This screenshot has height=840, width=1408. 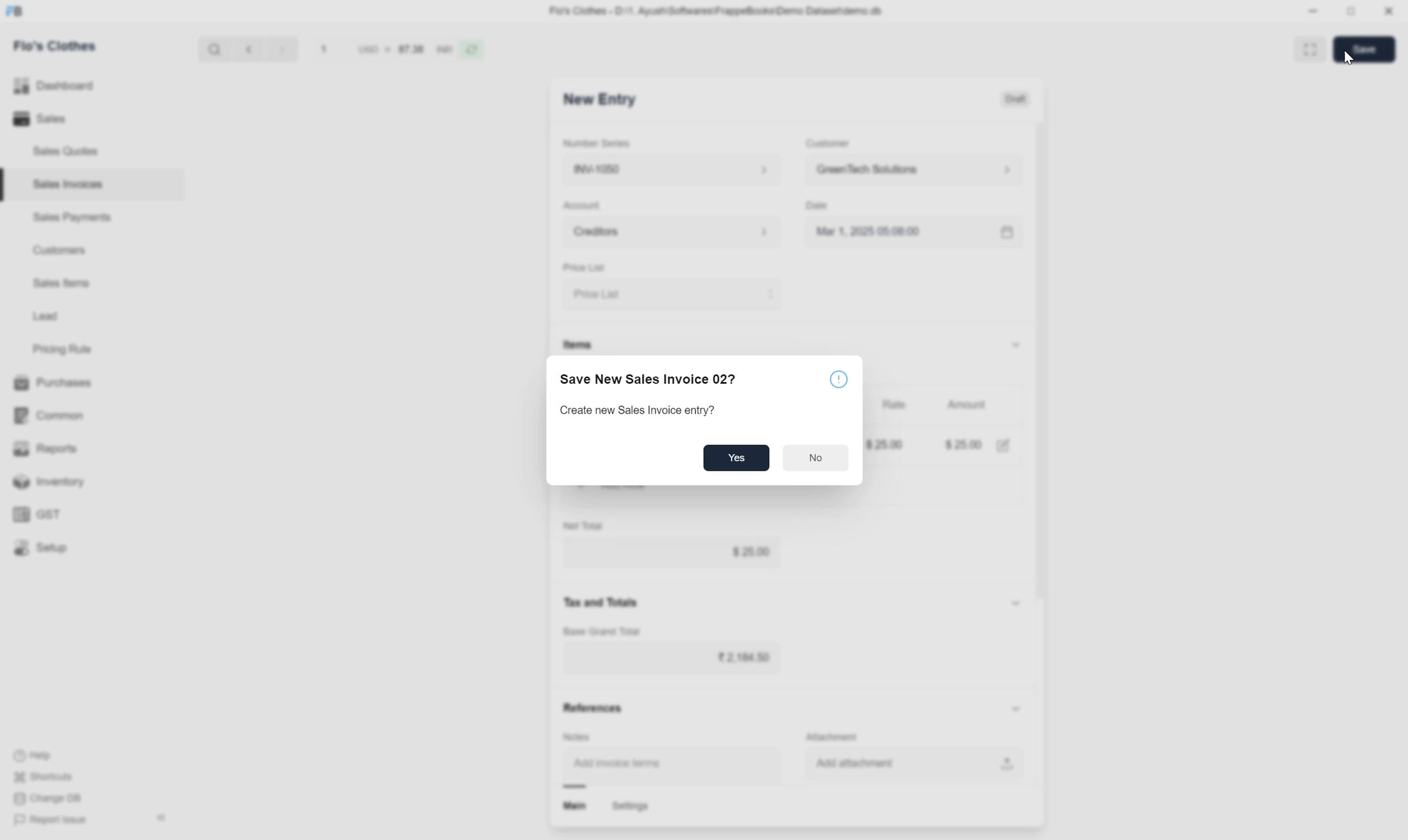 I want to click on Net Total, so click(x=588, y=524).